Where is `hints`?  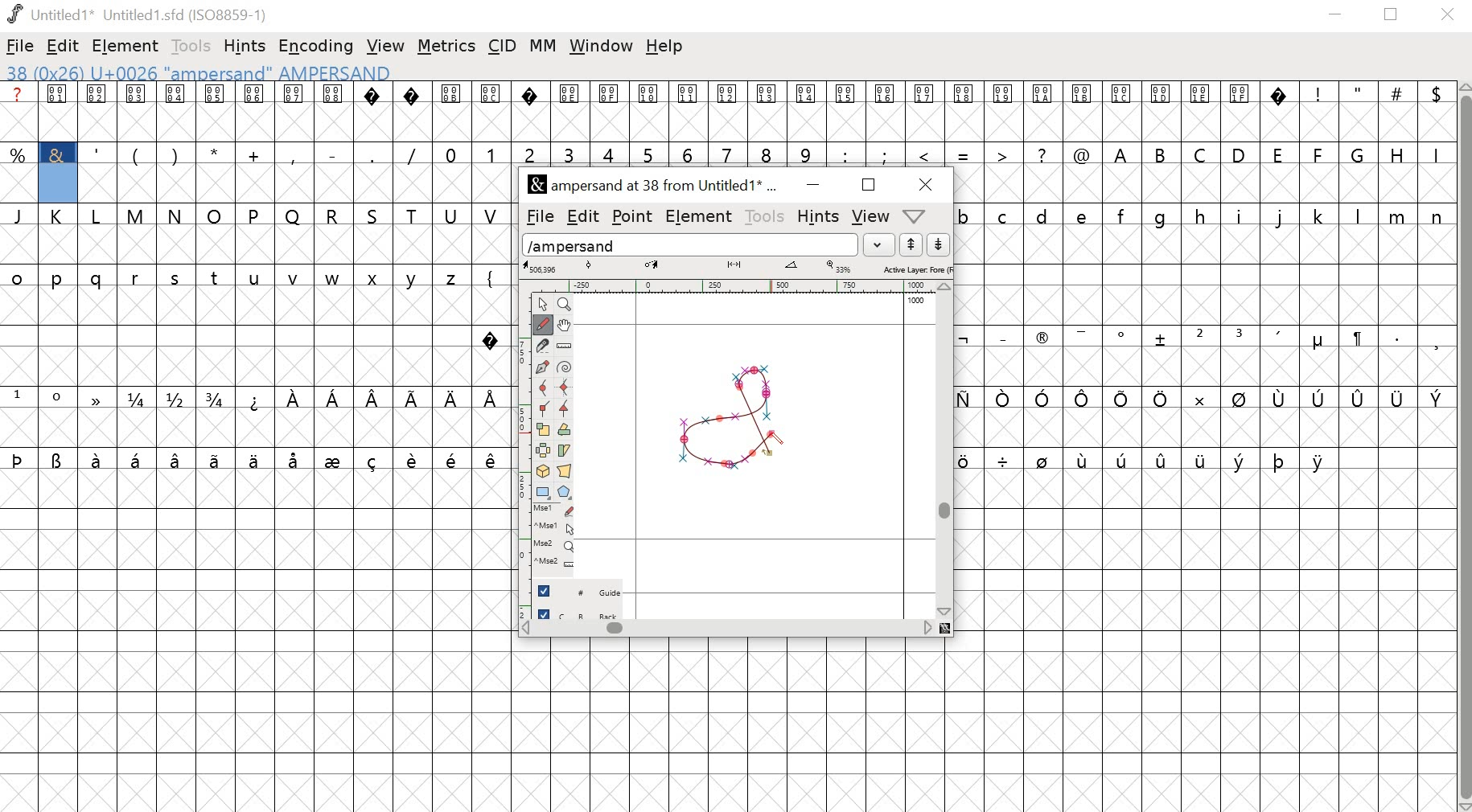 hints is located at coordinates (247, 45).